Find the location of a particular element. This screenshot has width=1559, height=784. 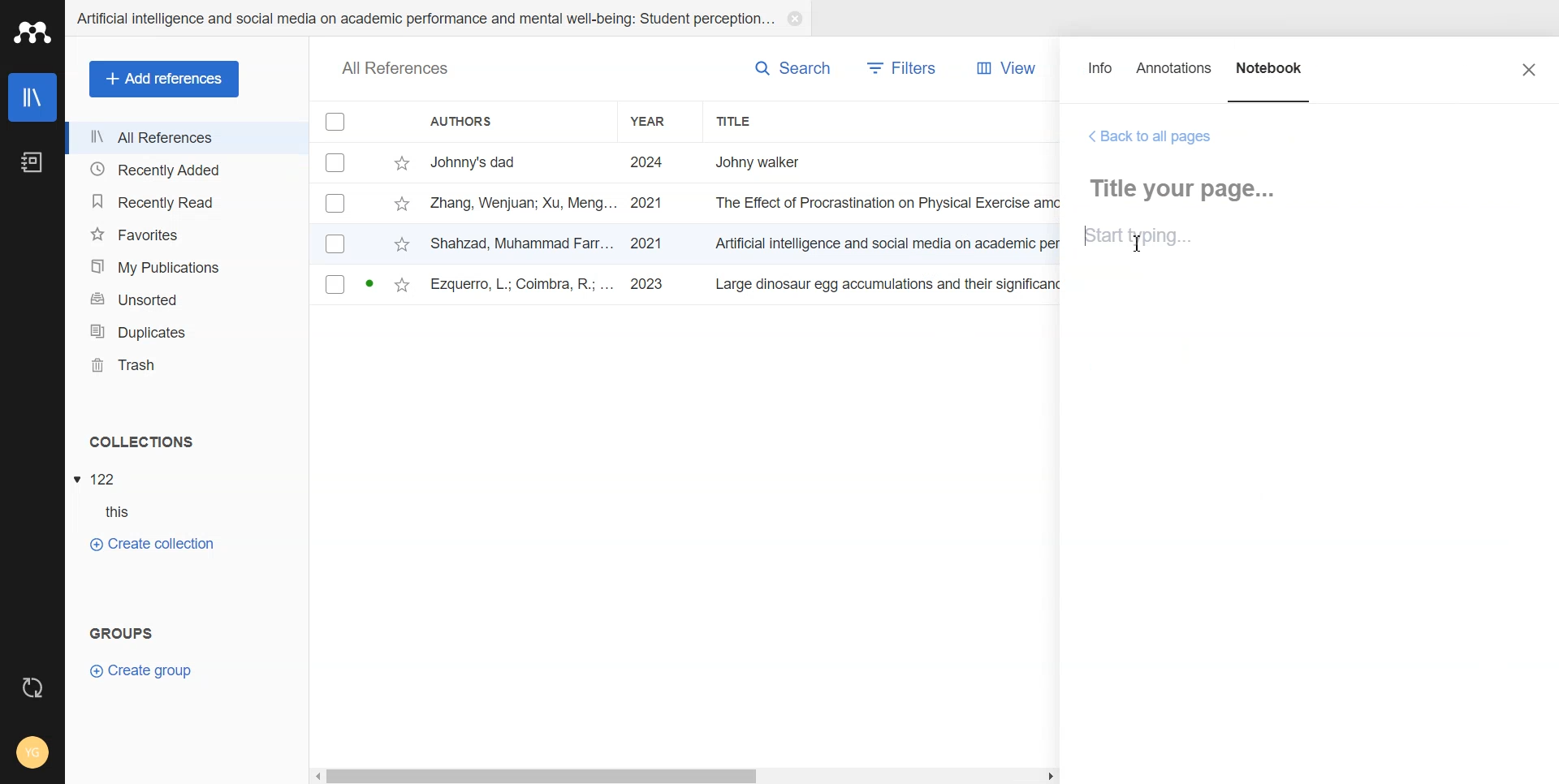

star is located at coordinates (401, 205).